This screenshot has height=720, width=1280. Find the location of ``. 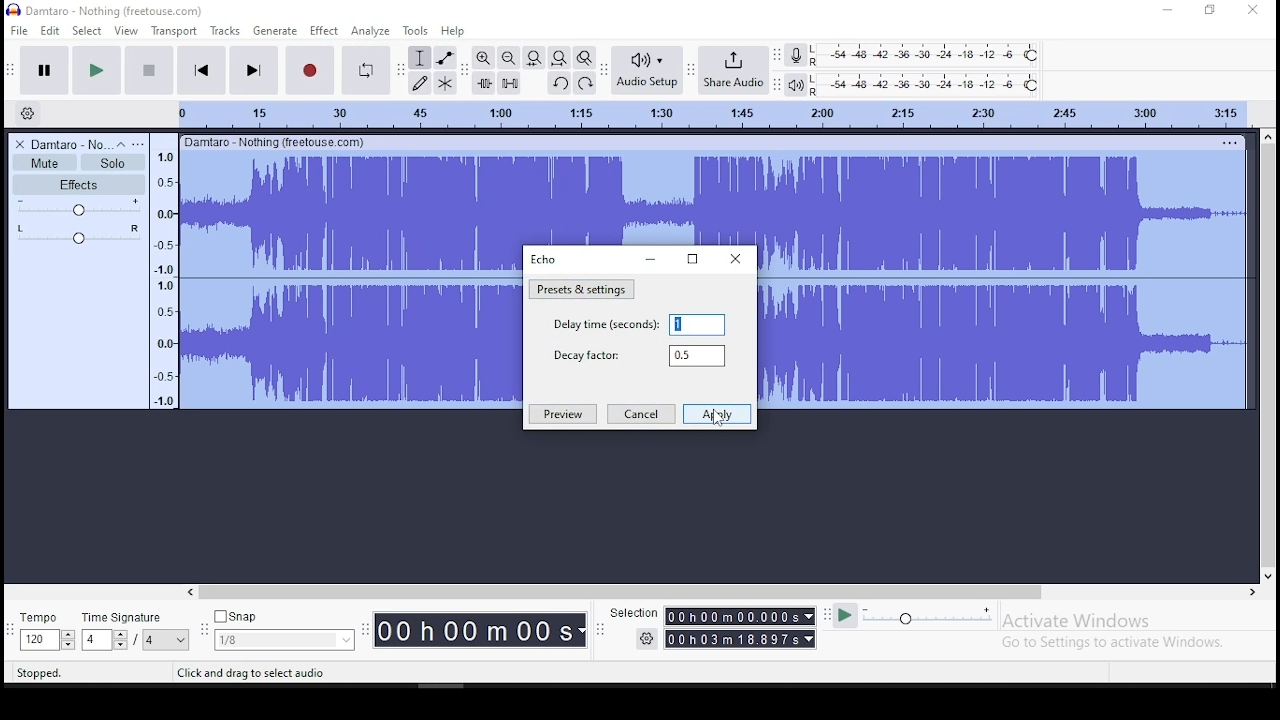

 is located at coordinates (775, 85).